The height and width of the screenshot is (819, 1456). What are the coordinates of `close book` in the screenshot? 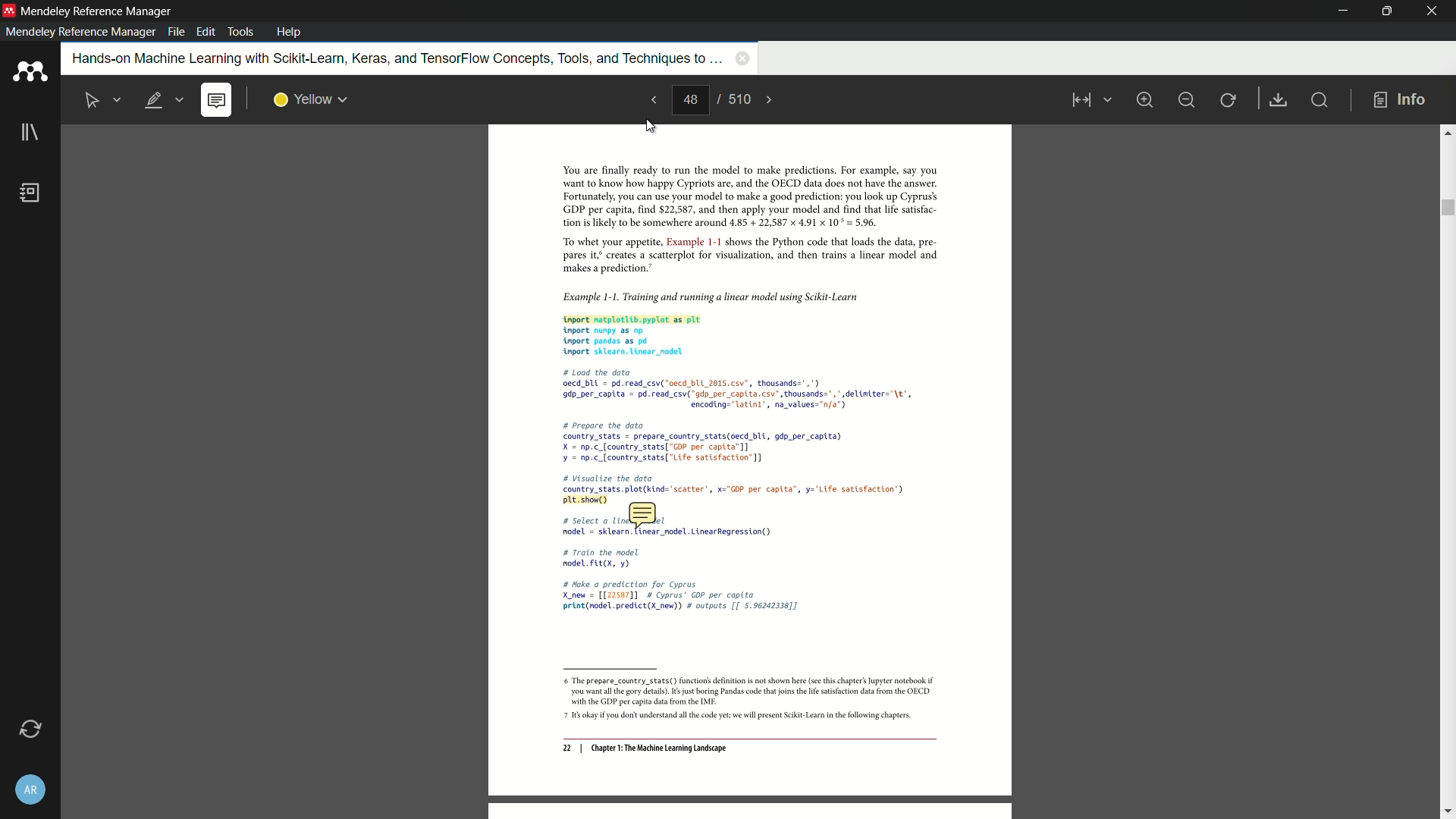 It's located at (742, 58).